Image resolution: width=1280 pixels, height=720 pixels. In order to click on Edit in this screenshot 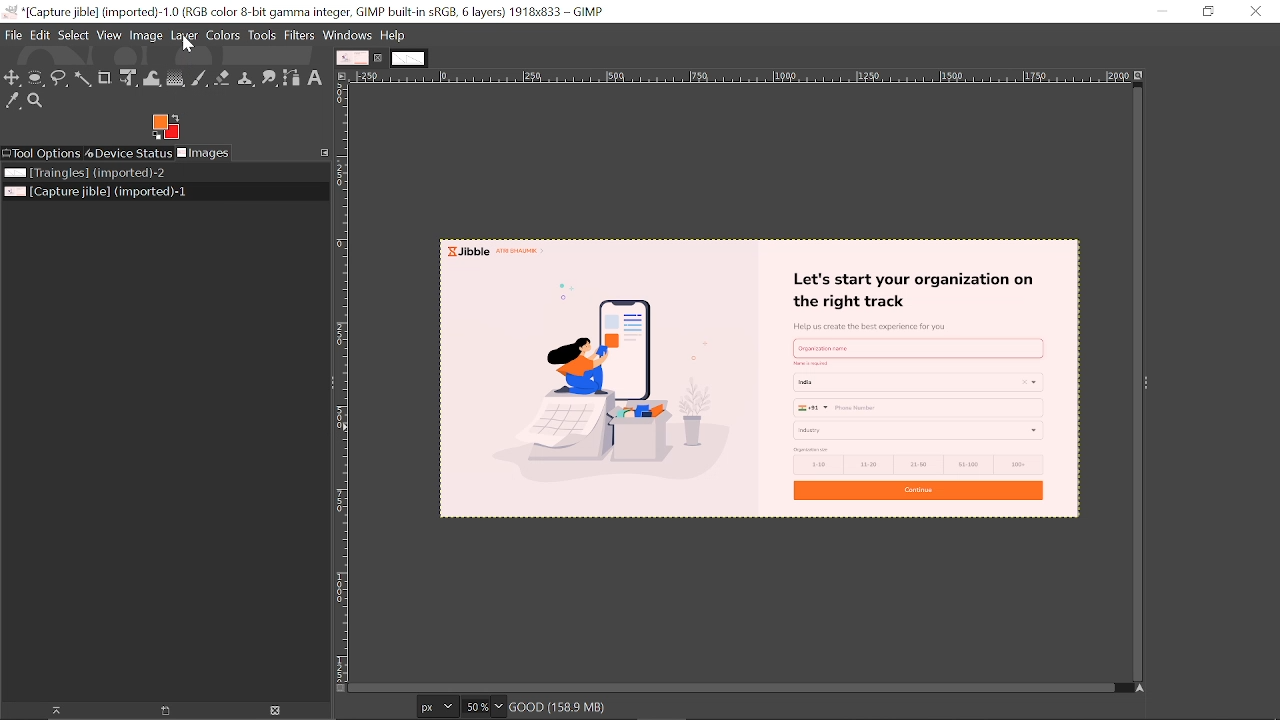, I will do `click(40, 35)`.